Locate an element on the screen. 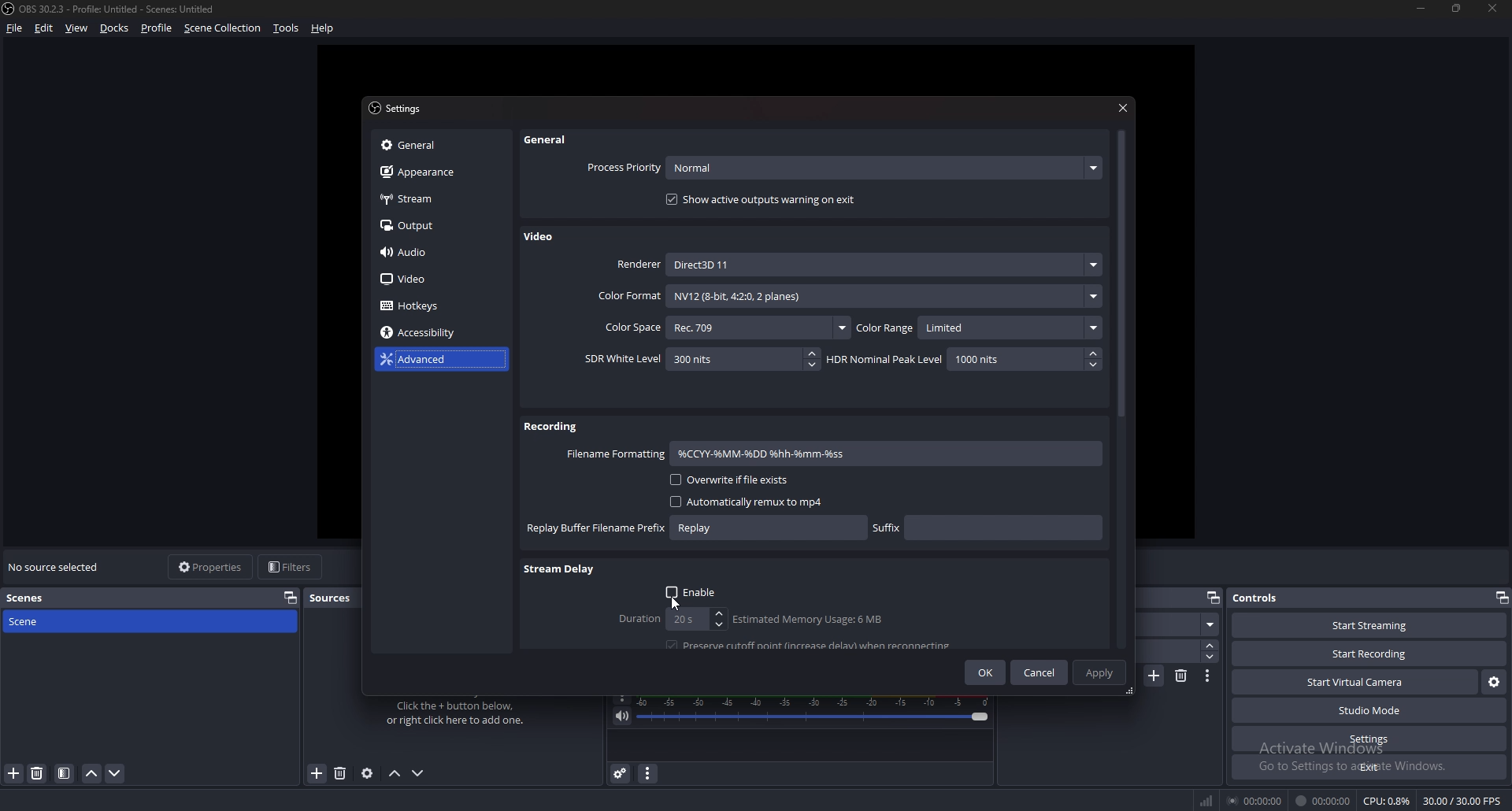 The width and height of the screenshot is (1512, 811). resize is located at coordinates (1457, 7).